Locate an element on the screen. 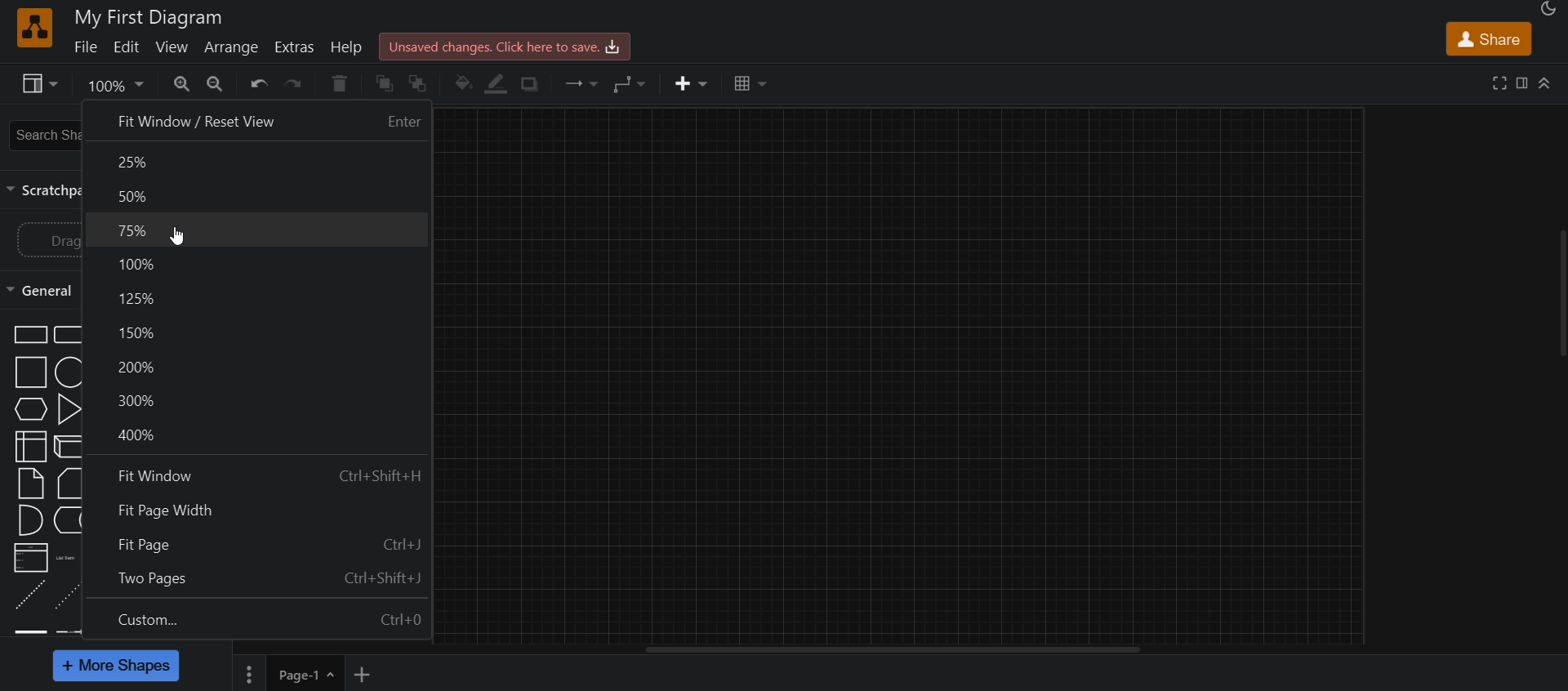  custom is located at coordinates (265, 622).